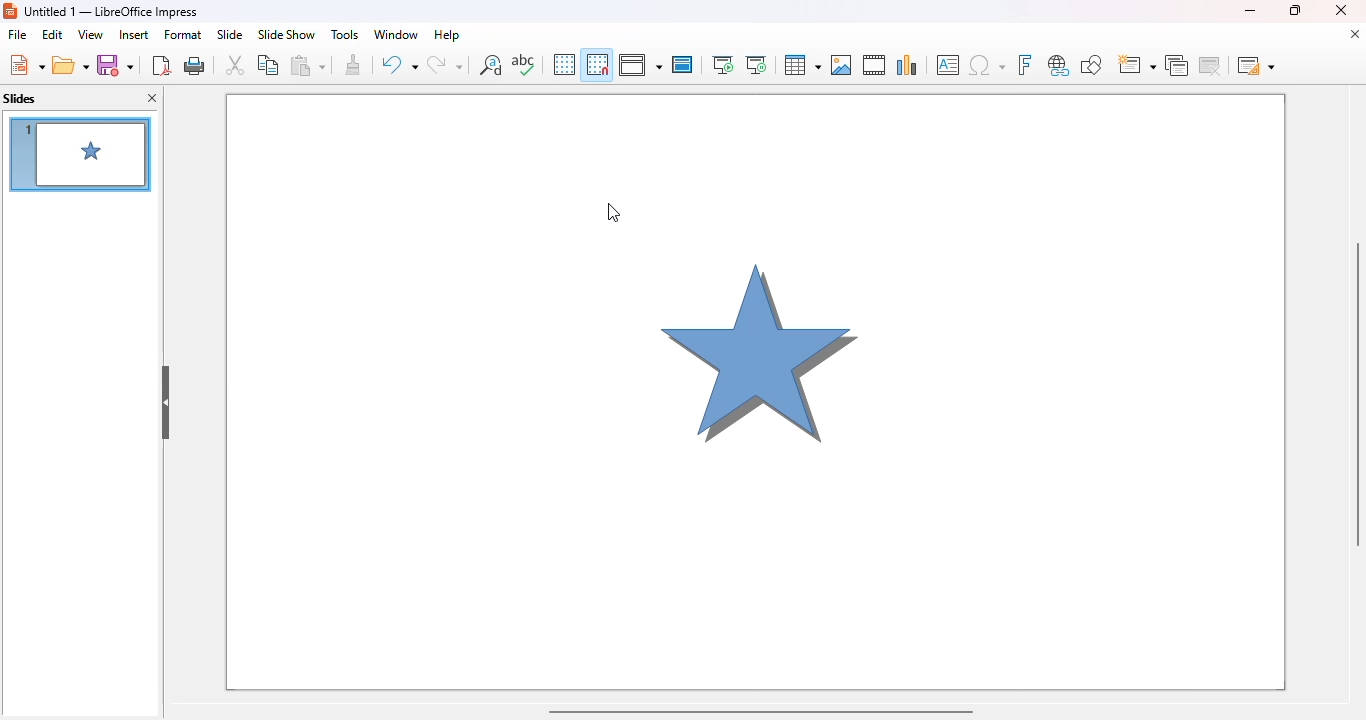  Describe the element at coordinates (1250, 11) in the screenshot. I see `minimize` at that location.